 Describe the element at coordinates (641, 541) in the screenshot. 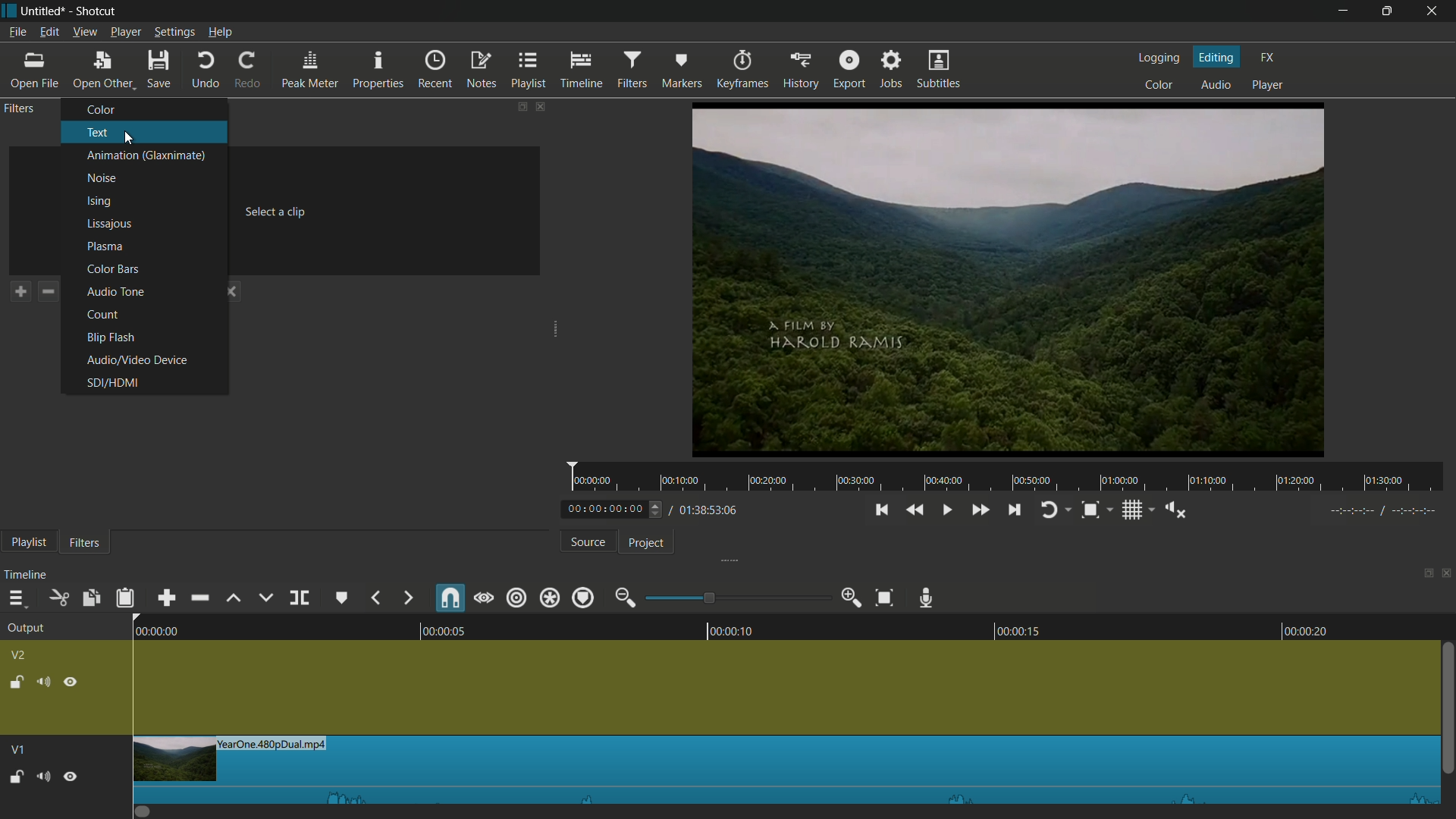

I see `project` at that location.